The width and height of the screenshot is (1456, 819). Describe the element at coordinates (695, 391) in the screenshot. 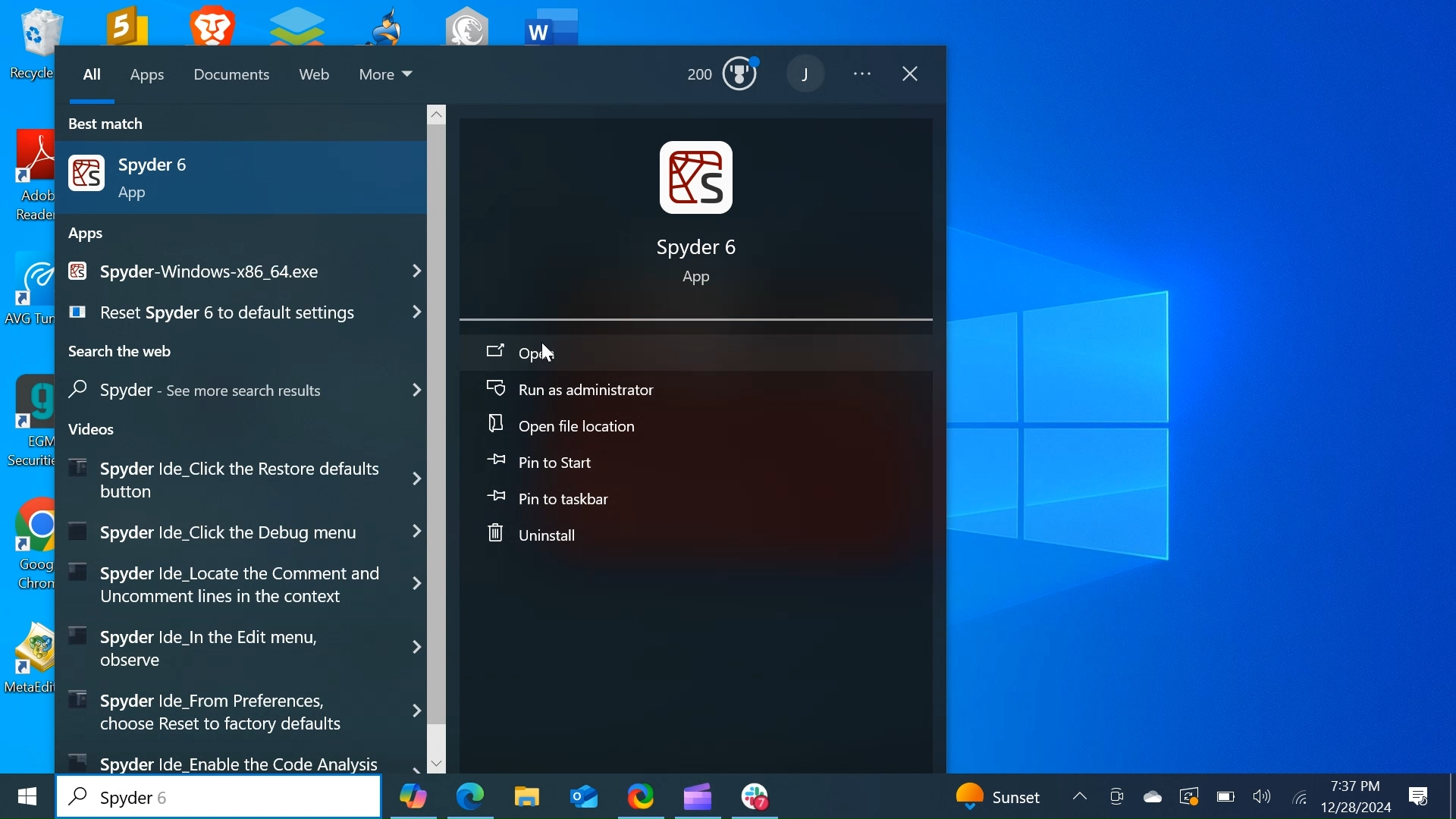

I see `Run as Administrator` at that location.